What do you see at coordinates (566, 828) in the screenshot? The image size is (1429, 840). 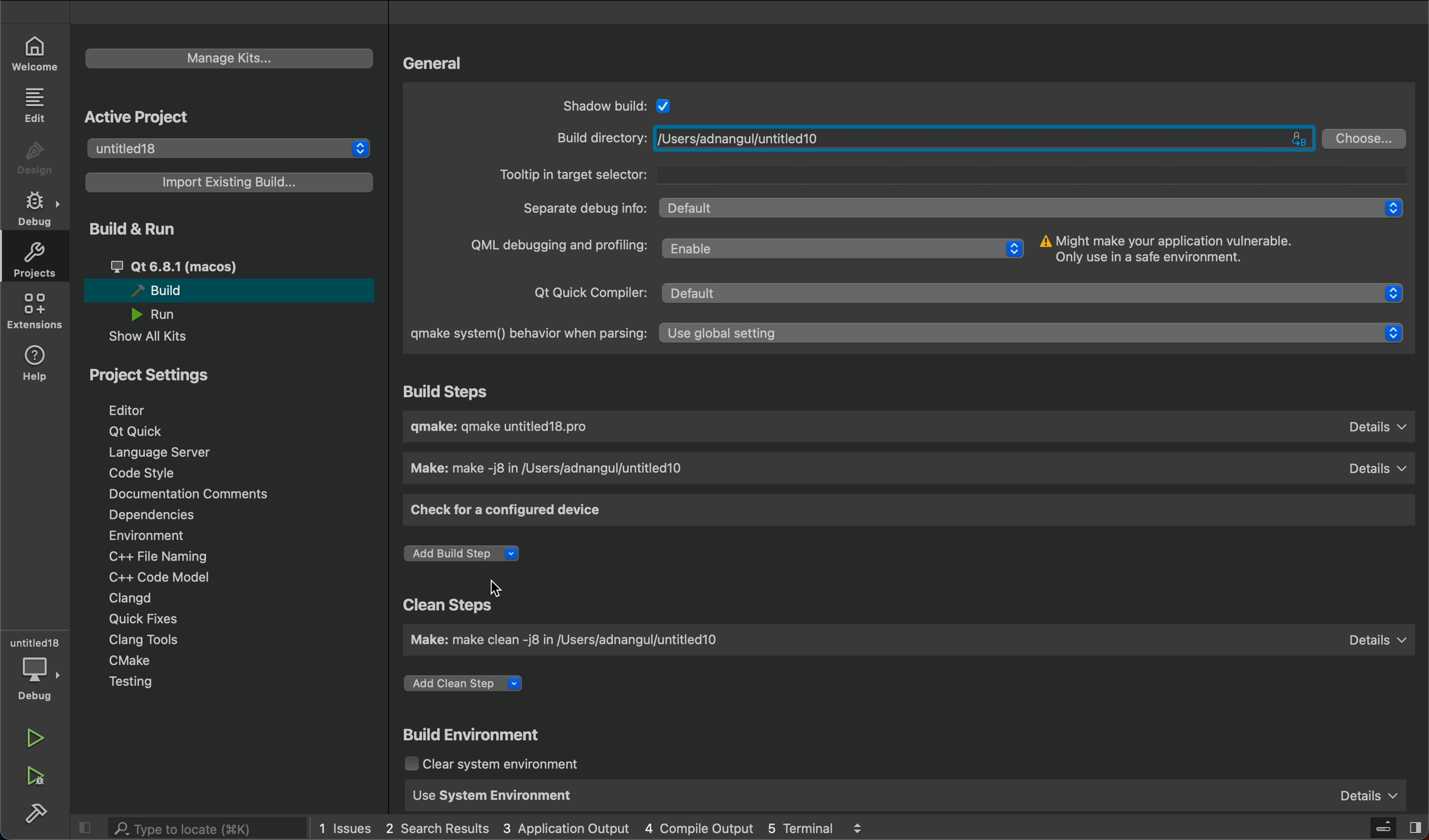 I see `3 Application Output` at bounding box center [566, 828].